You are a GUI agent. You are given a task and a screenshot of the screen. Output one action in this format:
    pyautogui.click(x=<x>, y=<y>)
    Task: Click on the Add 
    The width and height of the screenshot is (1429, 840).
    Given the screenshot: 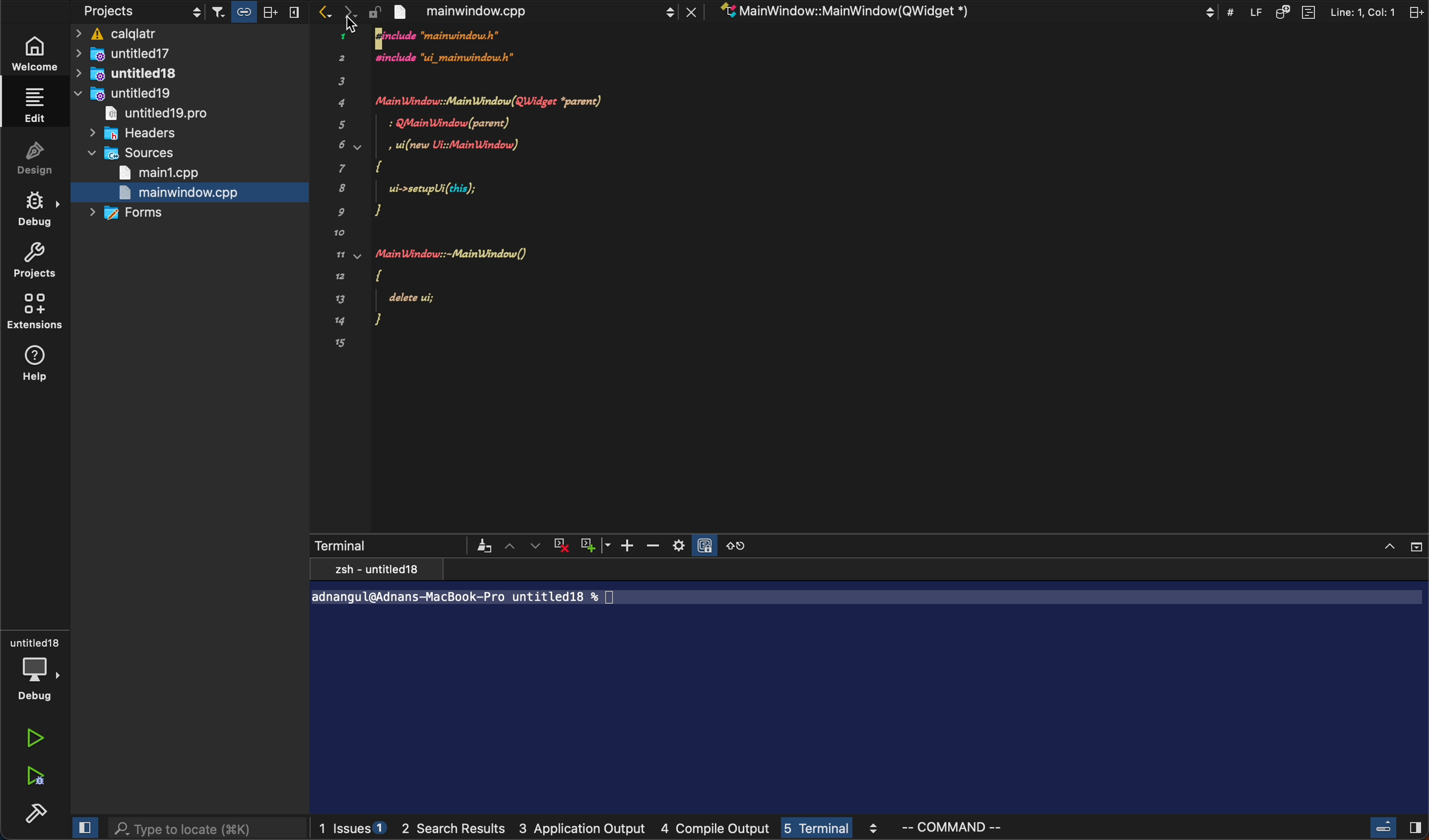 What is the action you would take?
    pyautogui.click(x=630, y=545)
    